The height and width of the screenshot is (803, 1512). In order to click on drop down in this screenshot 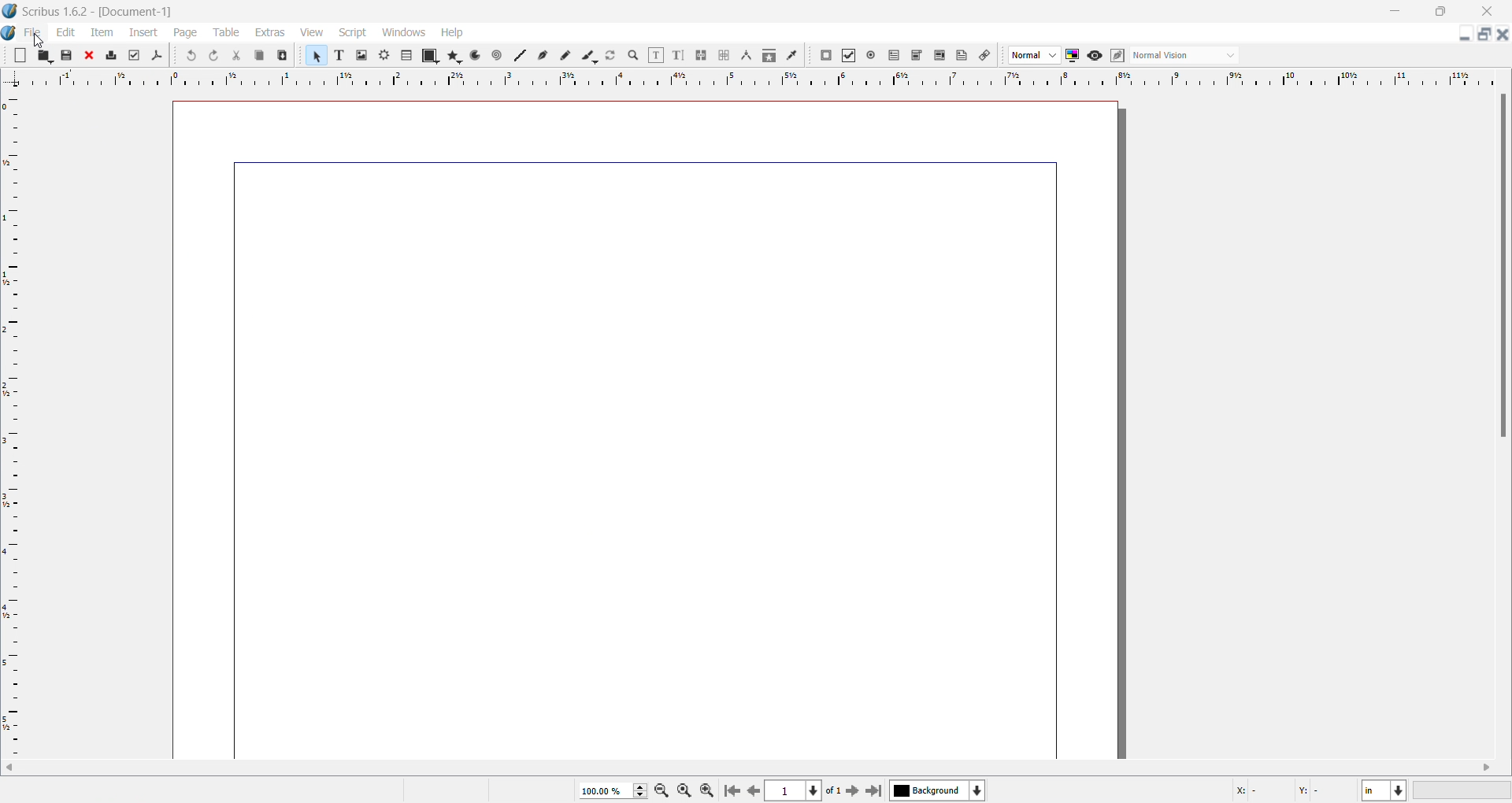, I will do `click(1027, 54)`.